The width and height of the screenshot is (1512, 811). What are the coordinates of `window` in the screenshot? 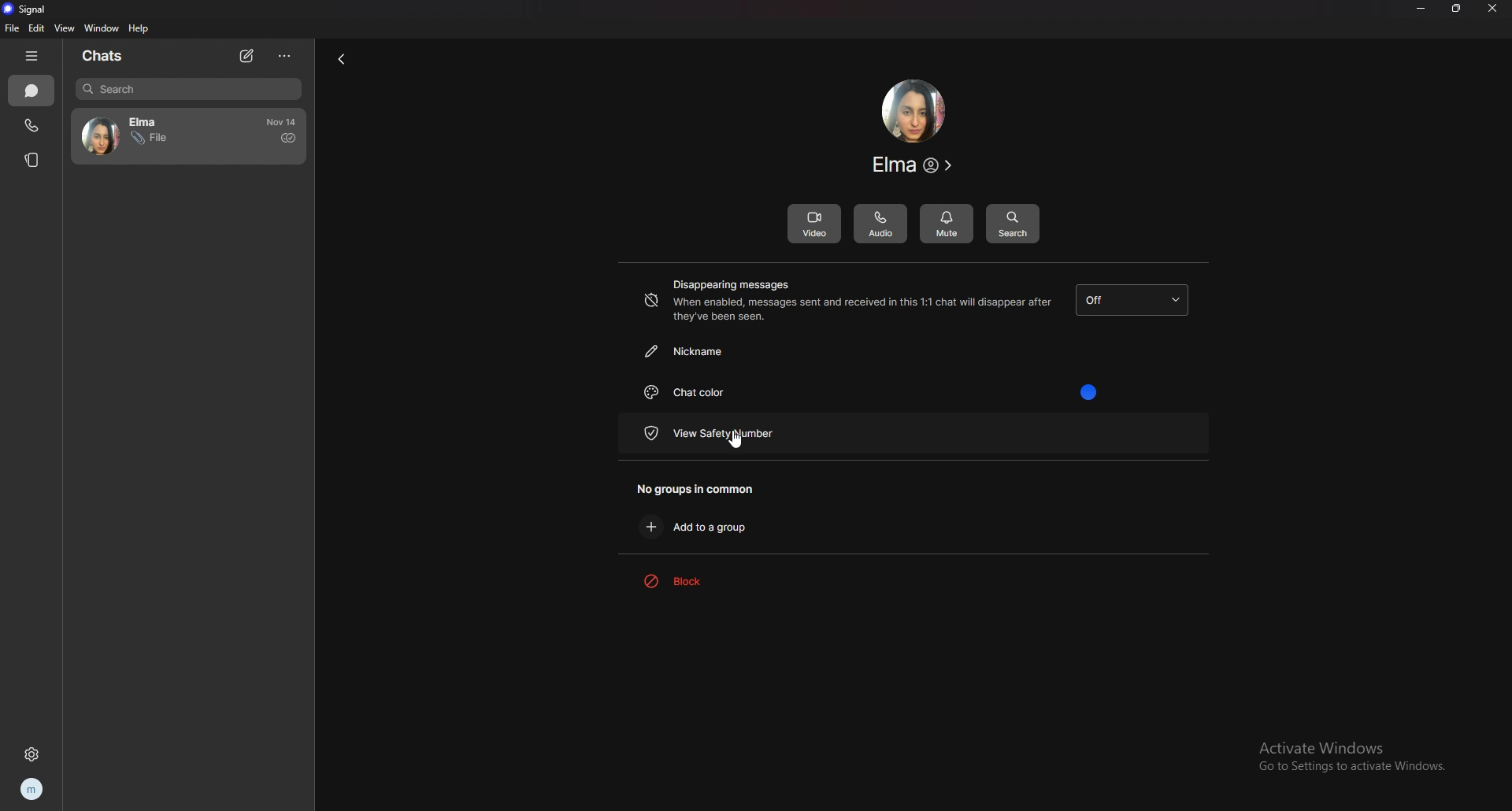 It's located at (103, 28).